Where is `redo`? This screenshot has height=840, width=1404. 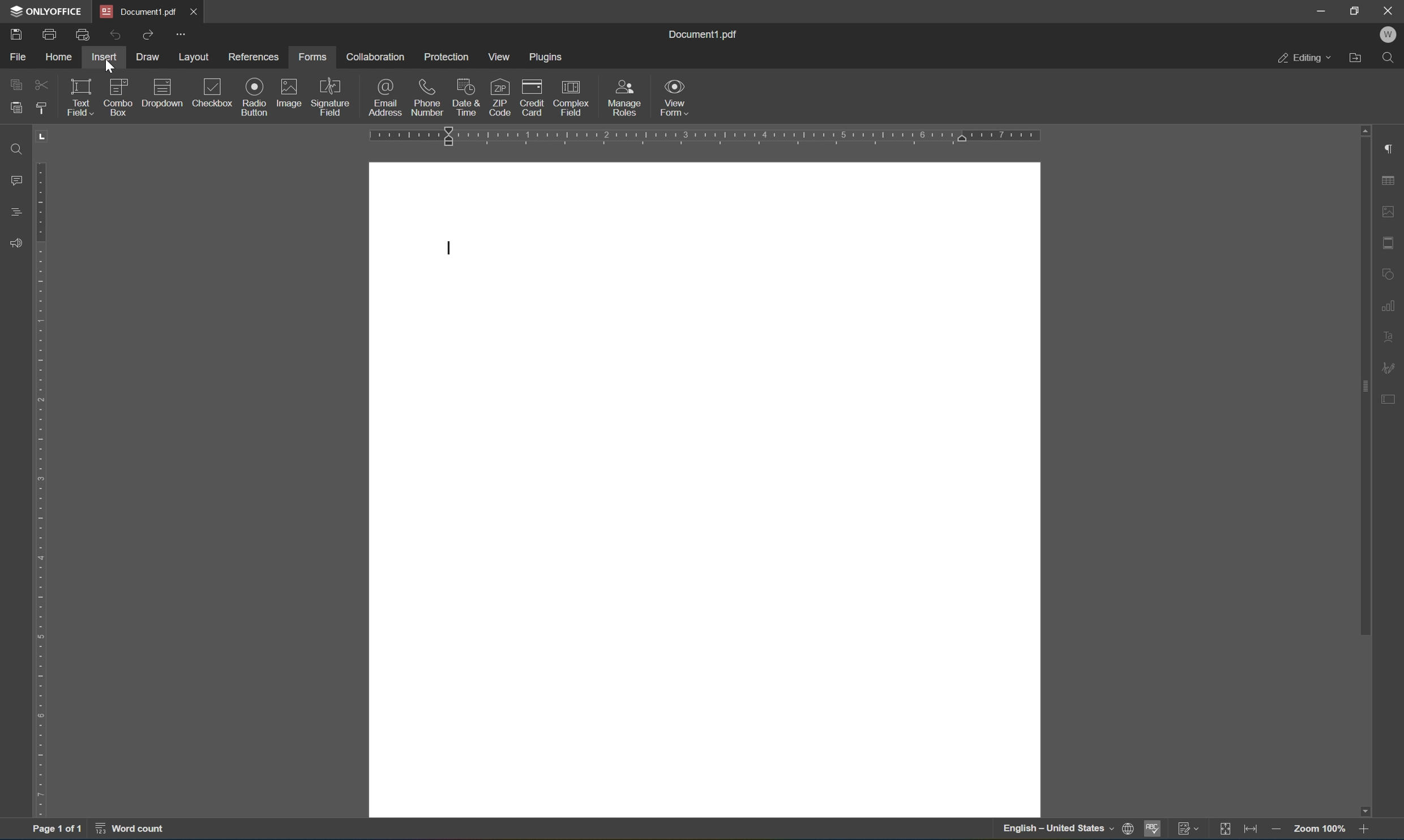 redo is located at coordinates (149, 37).